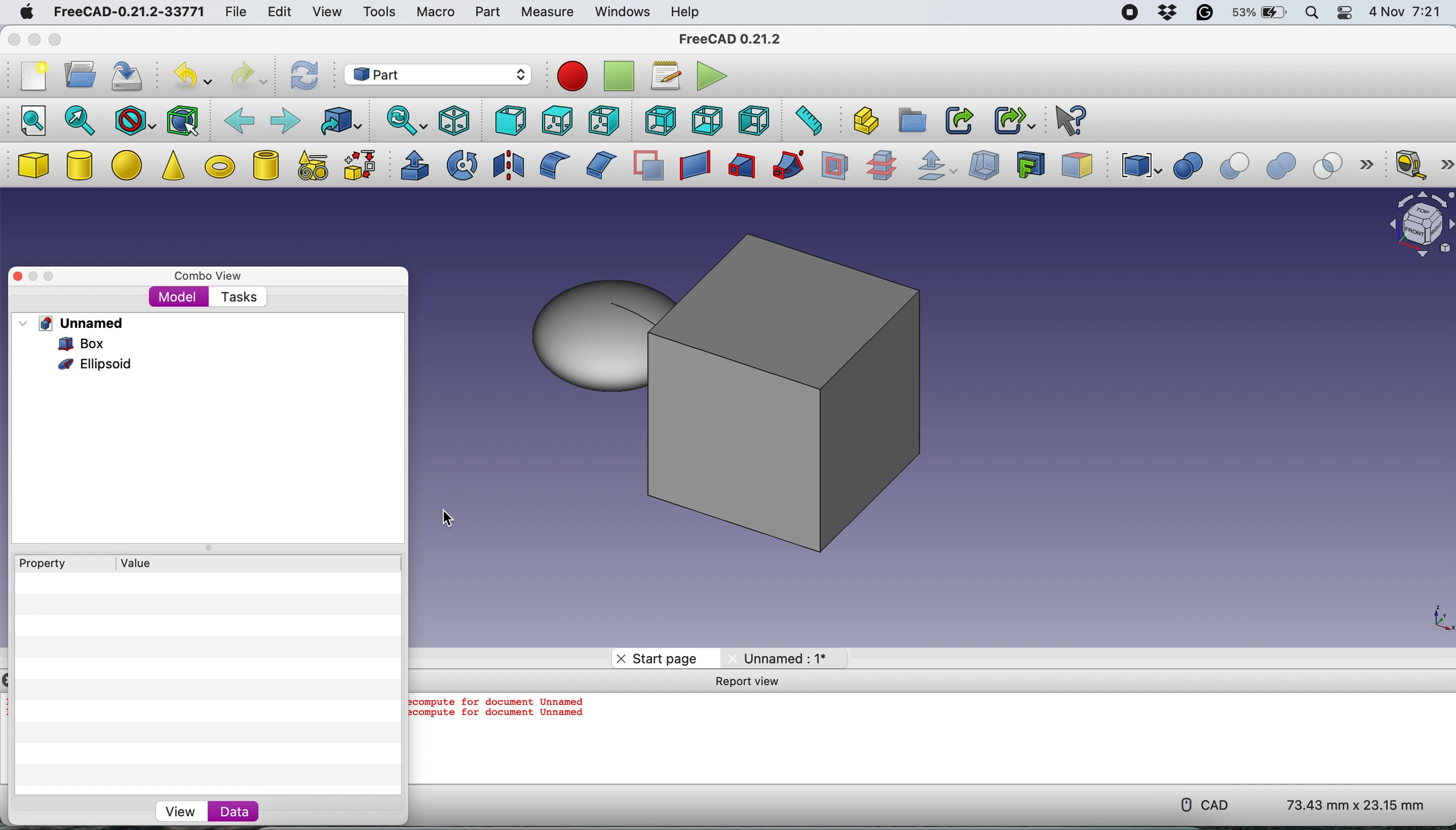 The height and width of the screenshot is (830, 1456). What do you see at coordinates (731, 39) in the screenshot?
I see `FreeCAD 0.21.2` at bounding box center [731, 39].